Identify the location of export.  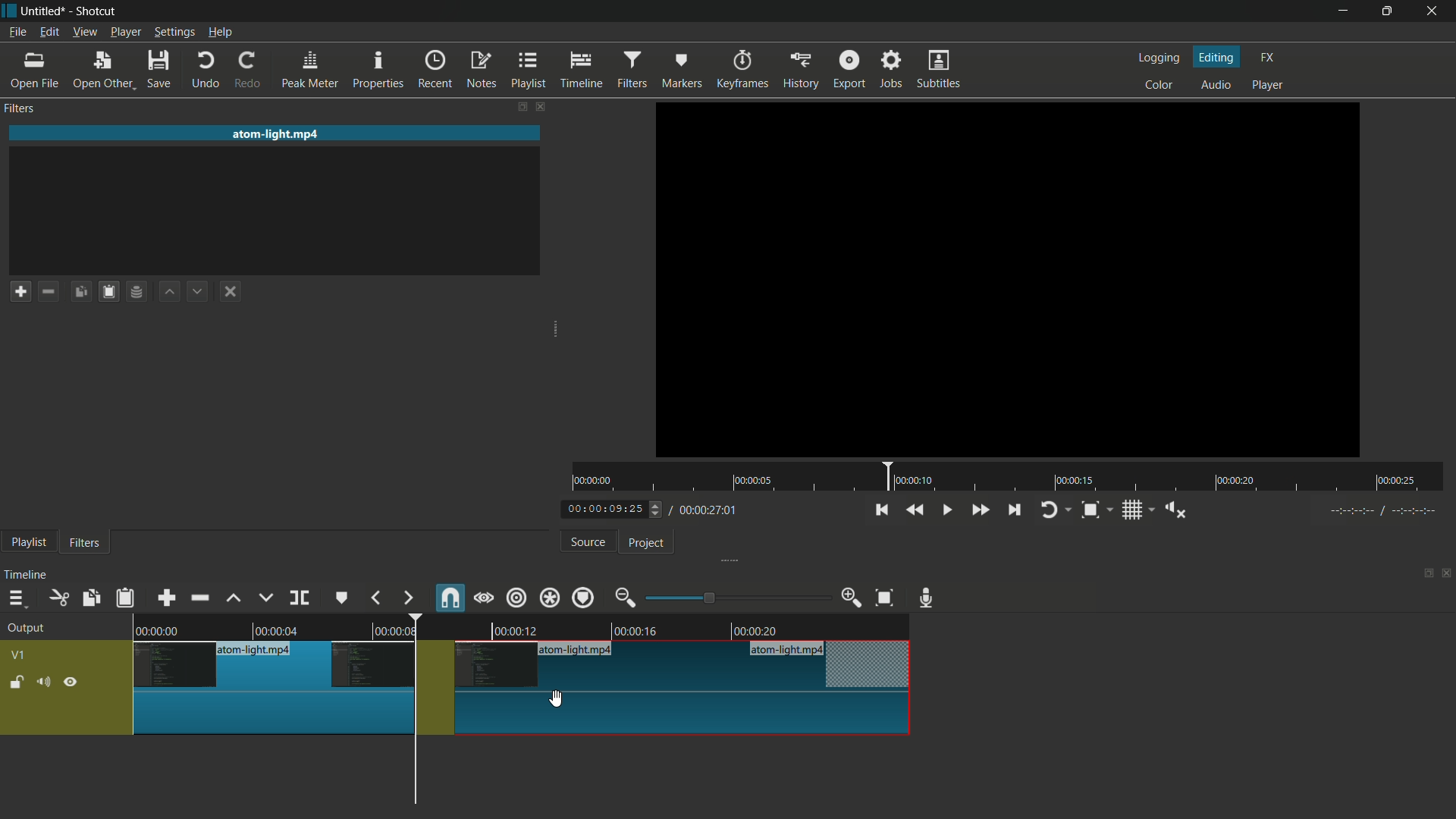
(849, 67).